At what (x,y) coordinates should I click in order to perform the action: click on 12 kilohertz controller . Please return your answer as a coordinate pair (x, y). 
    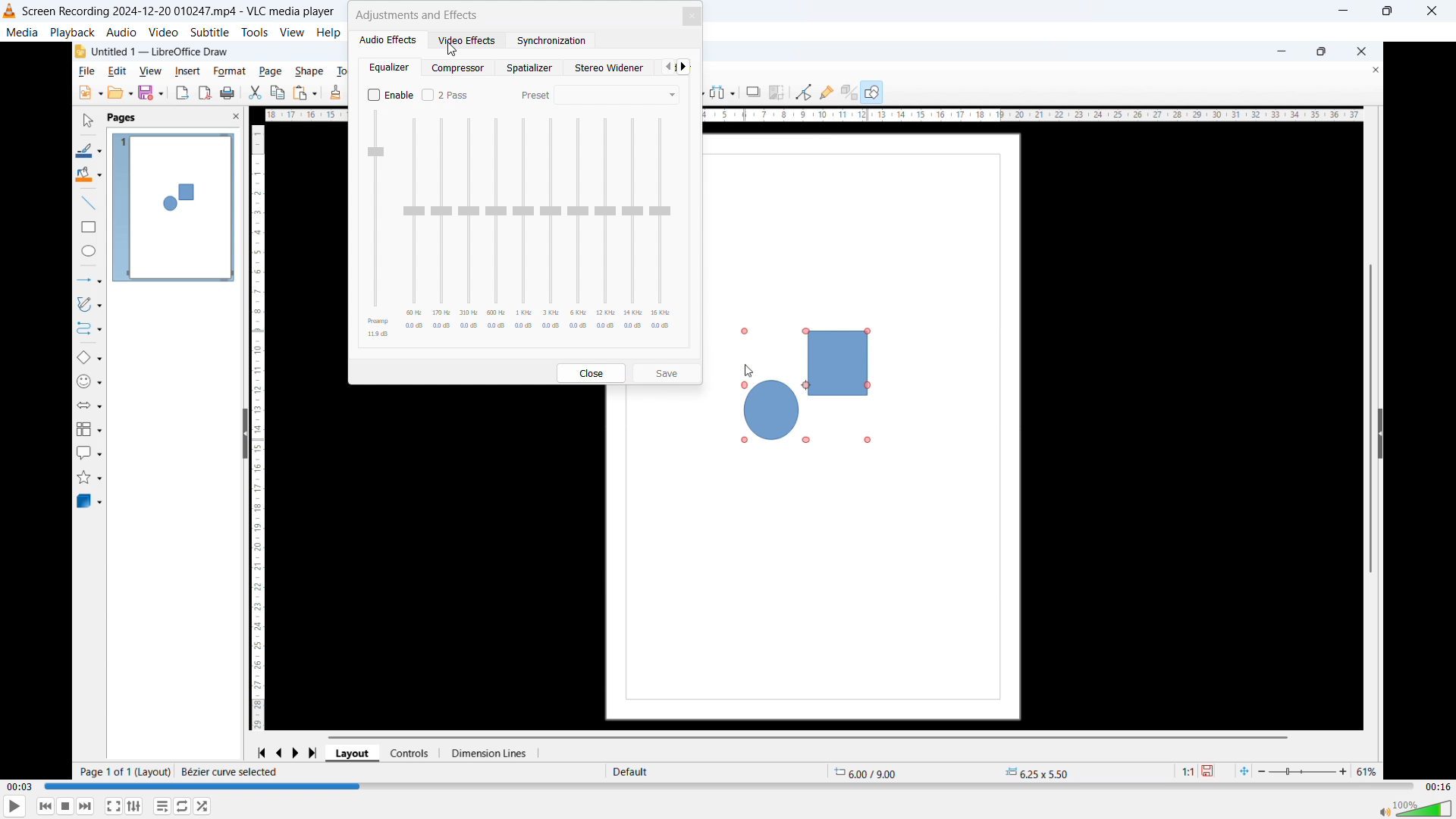
    Looking at the image, I should click on (607, 224).